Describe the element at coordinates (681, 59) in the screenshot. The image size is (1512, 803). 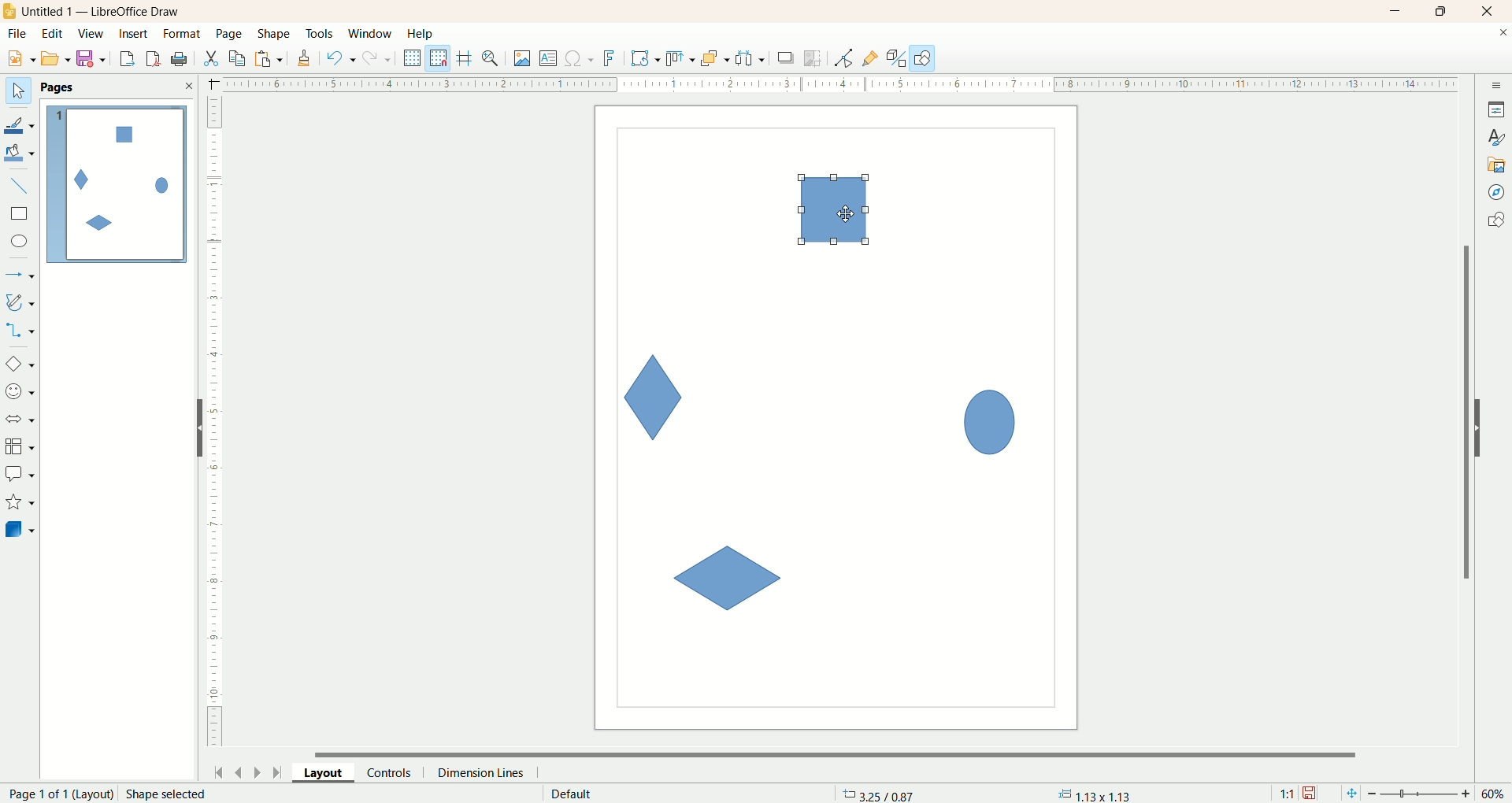
I see `allign object` at that location.